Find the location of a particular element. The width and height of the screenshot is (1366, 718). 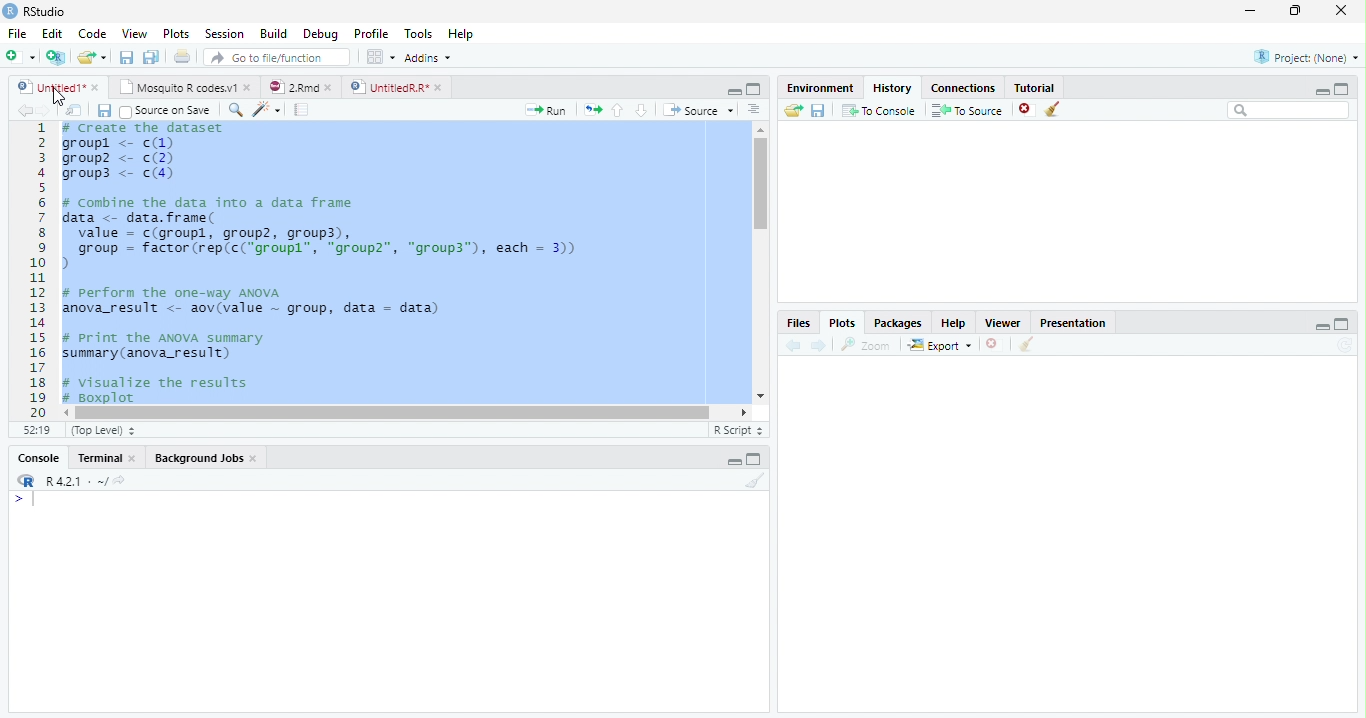

Cursor is located at coordinates (56, 97).